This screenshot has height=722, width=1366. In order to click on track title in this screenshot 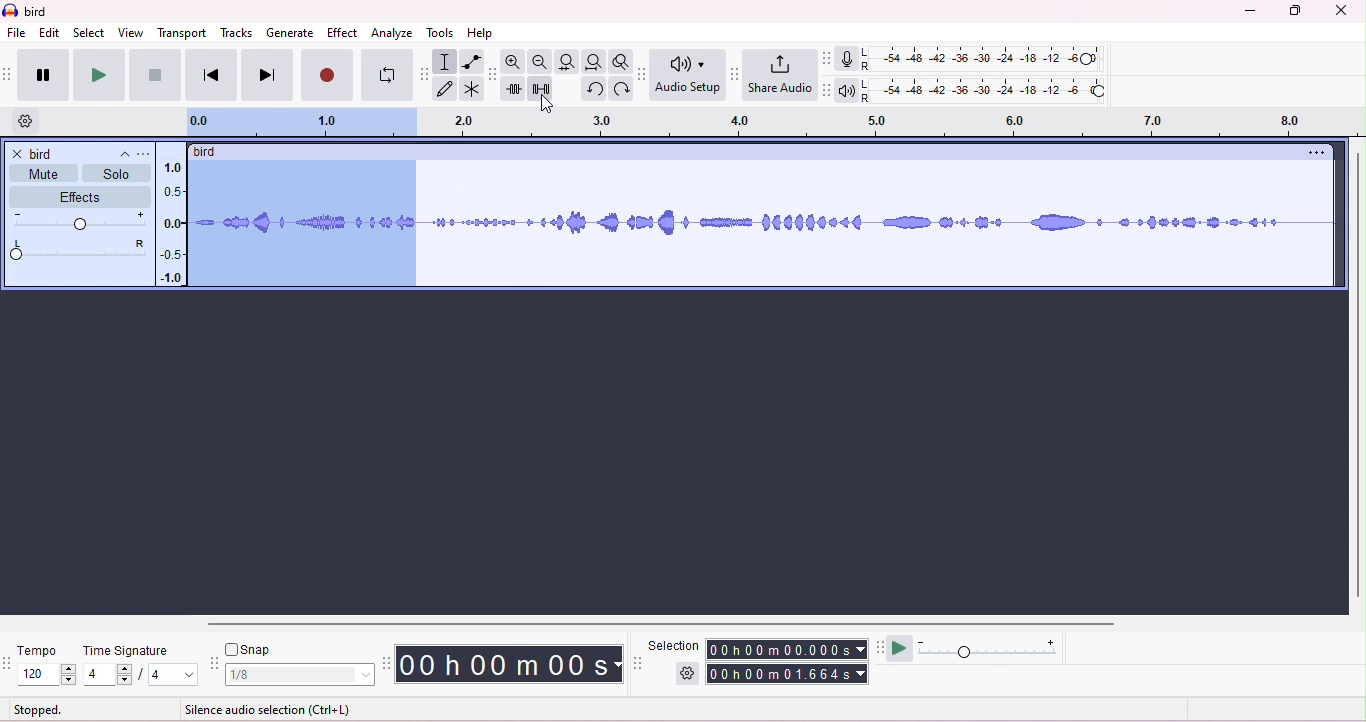, I will do `click(81, 153)`.